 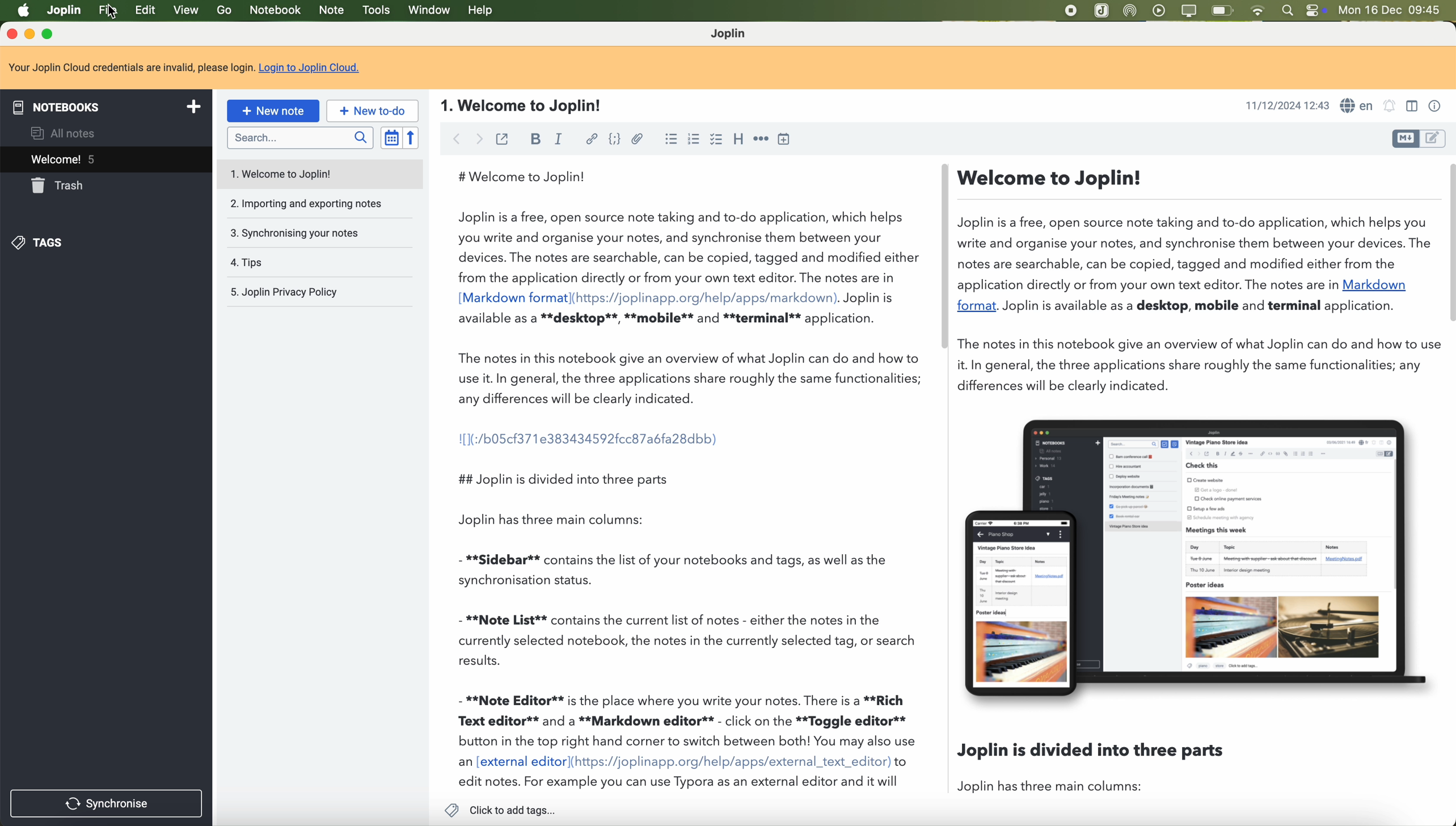 What do you see at coordinates (592, 140) in the screenshot?
I see `hyperlink` at bounding box center [592, 140].